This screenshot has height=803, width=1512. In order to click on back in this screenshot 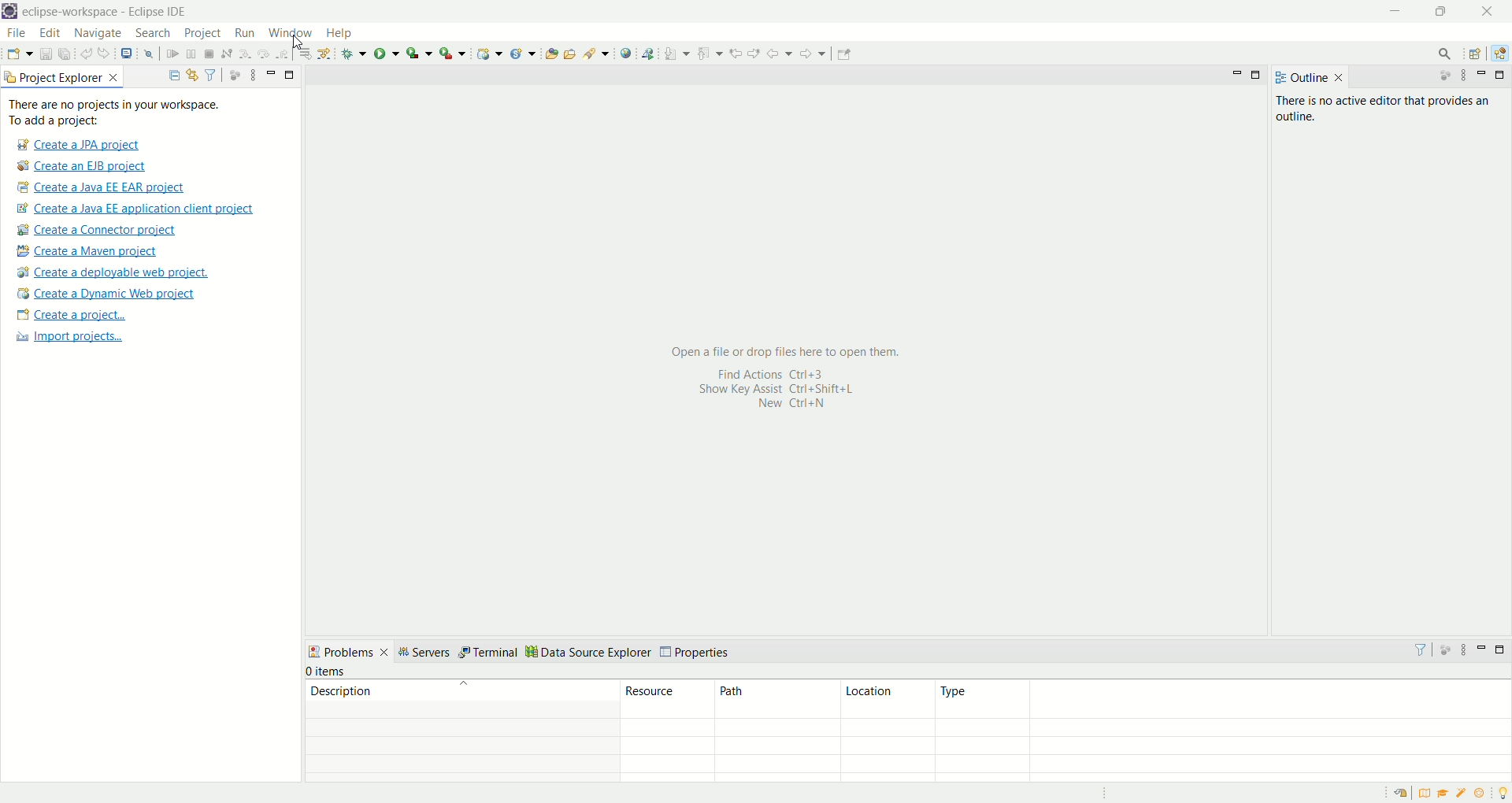, I will do `click(783, 53)`.